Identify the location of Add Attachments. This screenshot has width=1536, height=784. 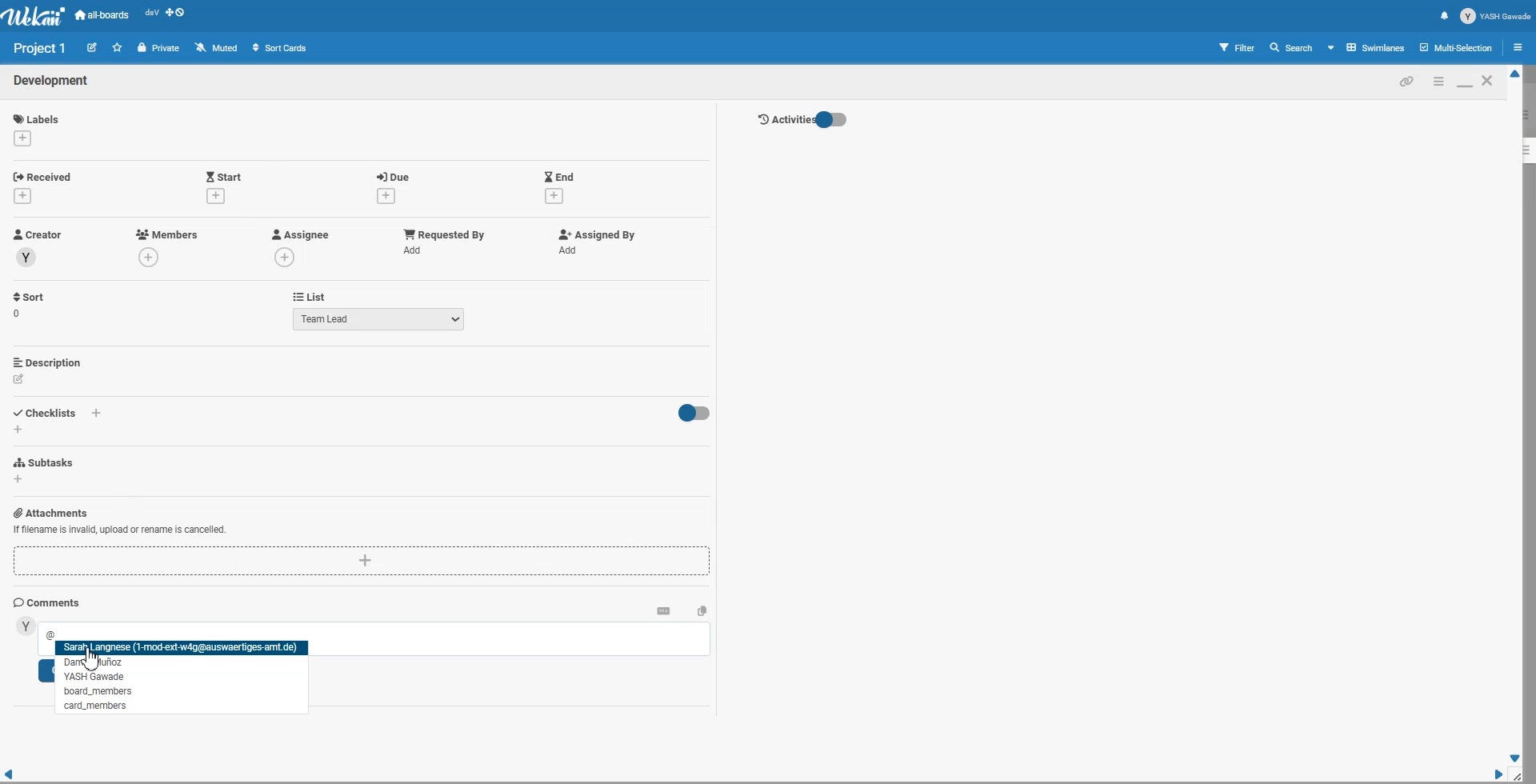
(50, 512).